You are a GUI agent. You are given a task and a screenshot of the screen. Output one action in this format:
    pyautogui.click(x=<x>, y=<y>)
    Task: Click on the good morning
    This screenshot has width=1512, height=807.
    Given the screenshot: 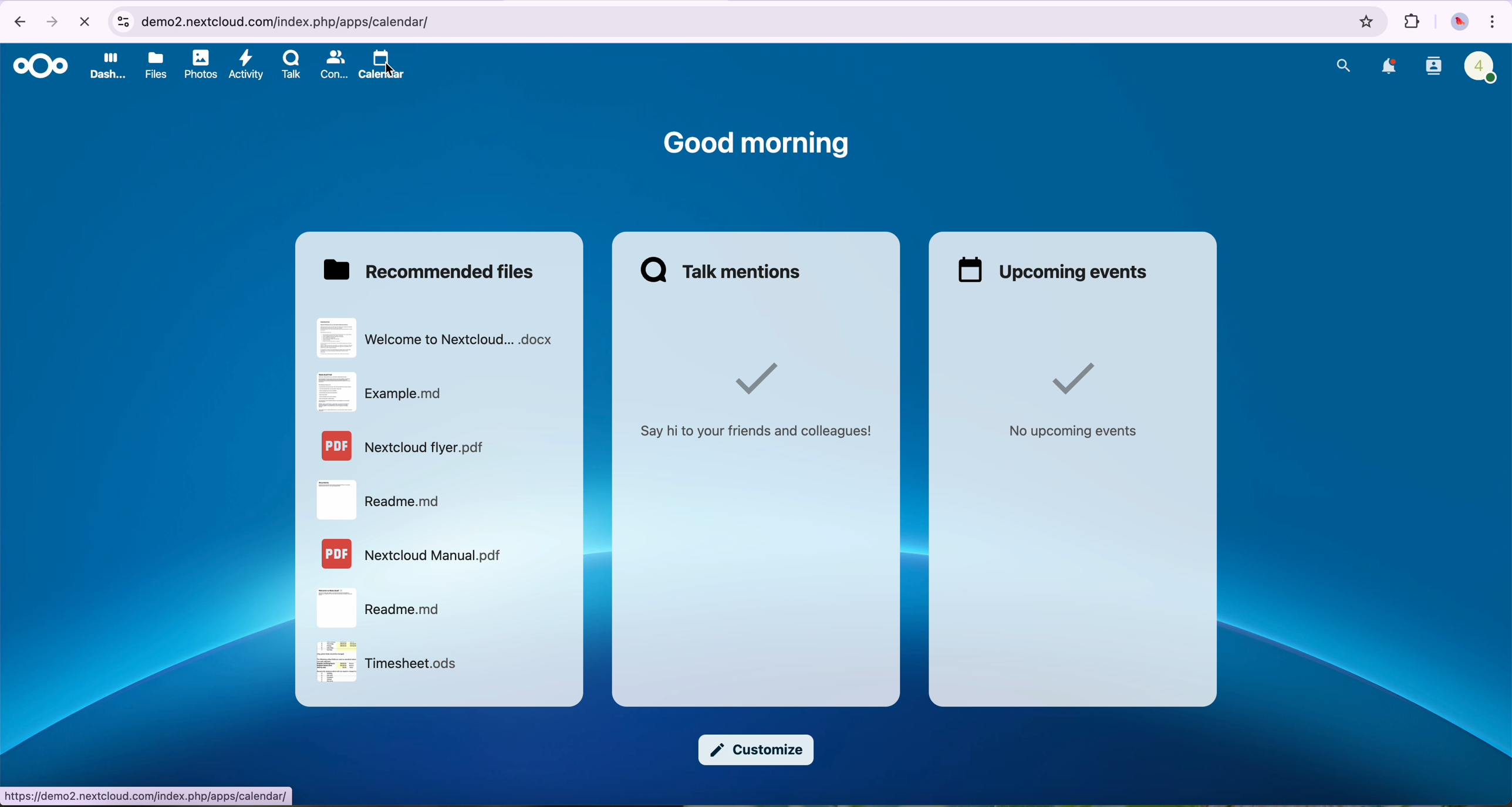 What is the action you would take?
    pyautogui.click(x=761, y=142)
    